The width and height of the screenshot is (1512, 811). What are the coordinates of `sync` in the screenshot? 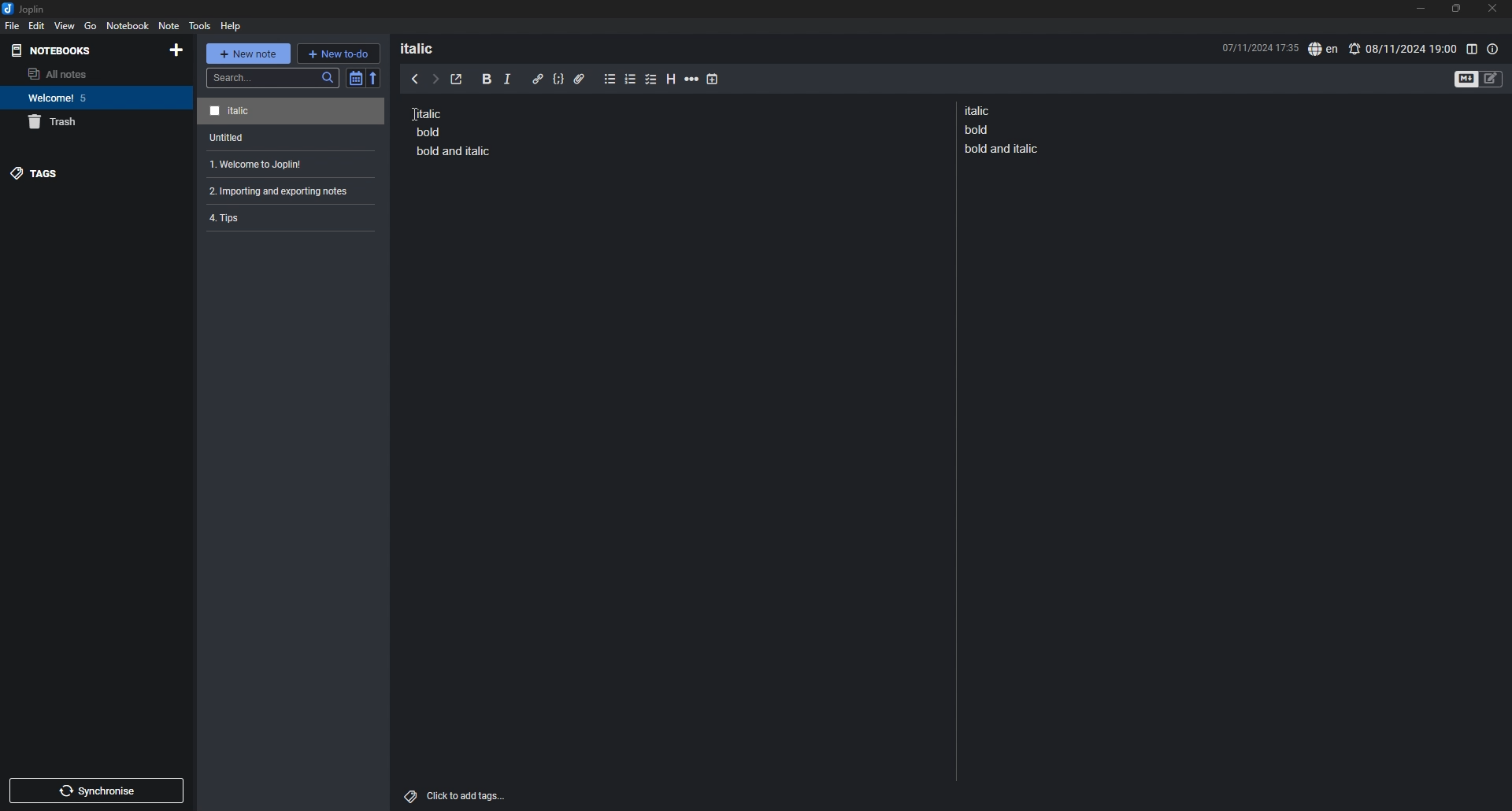 It's located at (98, 791).